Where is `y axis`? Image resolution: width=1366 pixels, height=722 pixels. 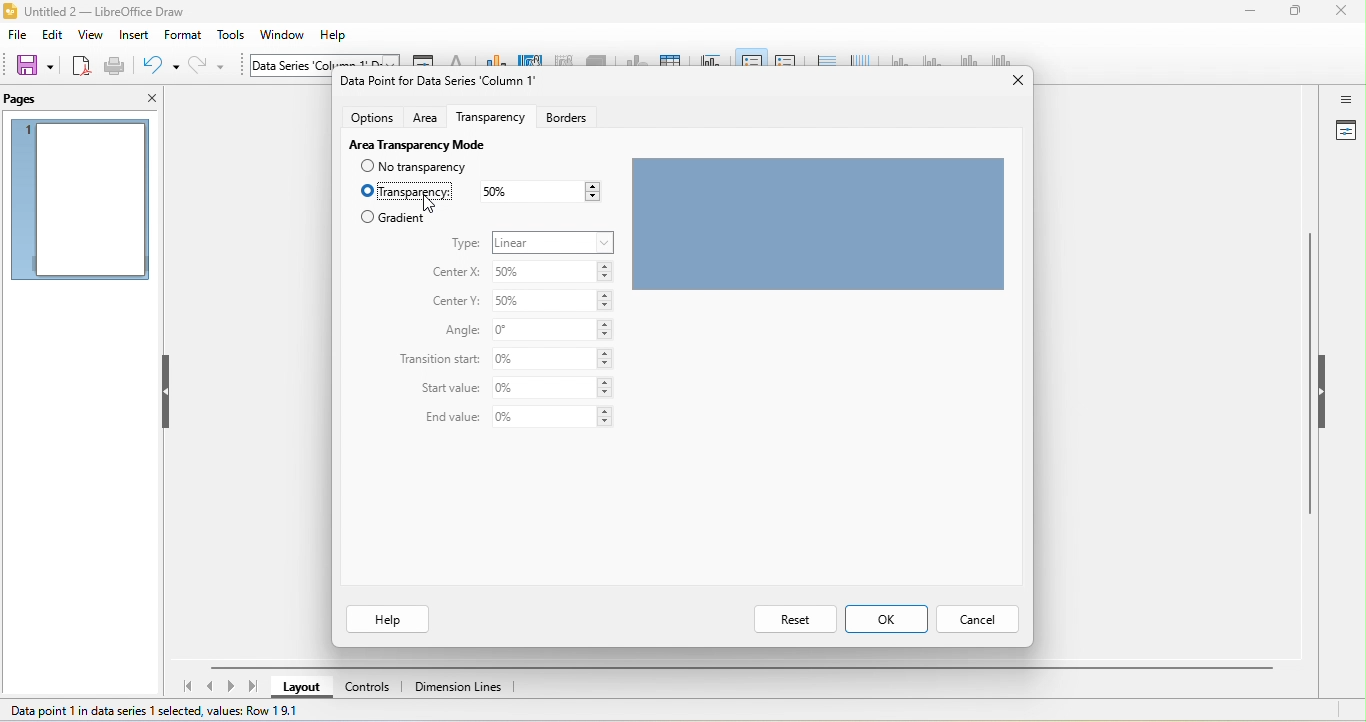 y axis is located at coordinates (930, 59).